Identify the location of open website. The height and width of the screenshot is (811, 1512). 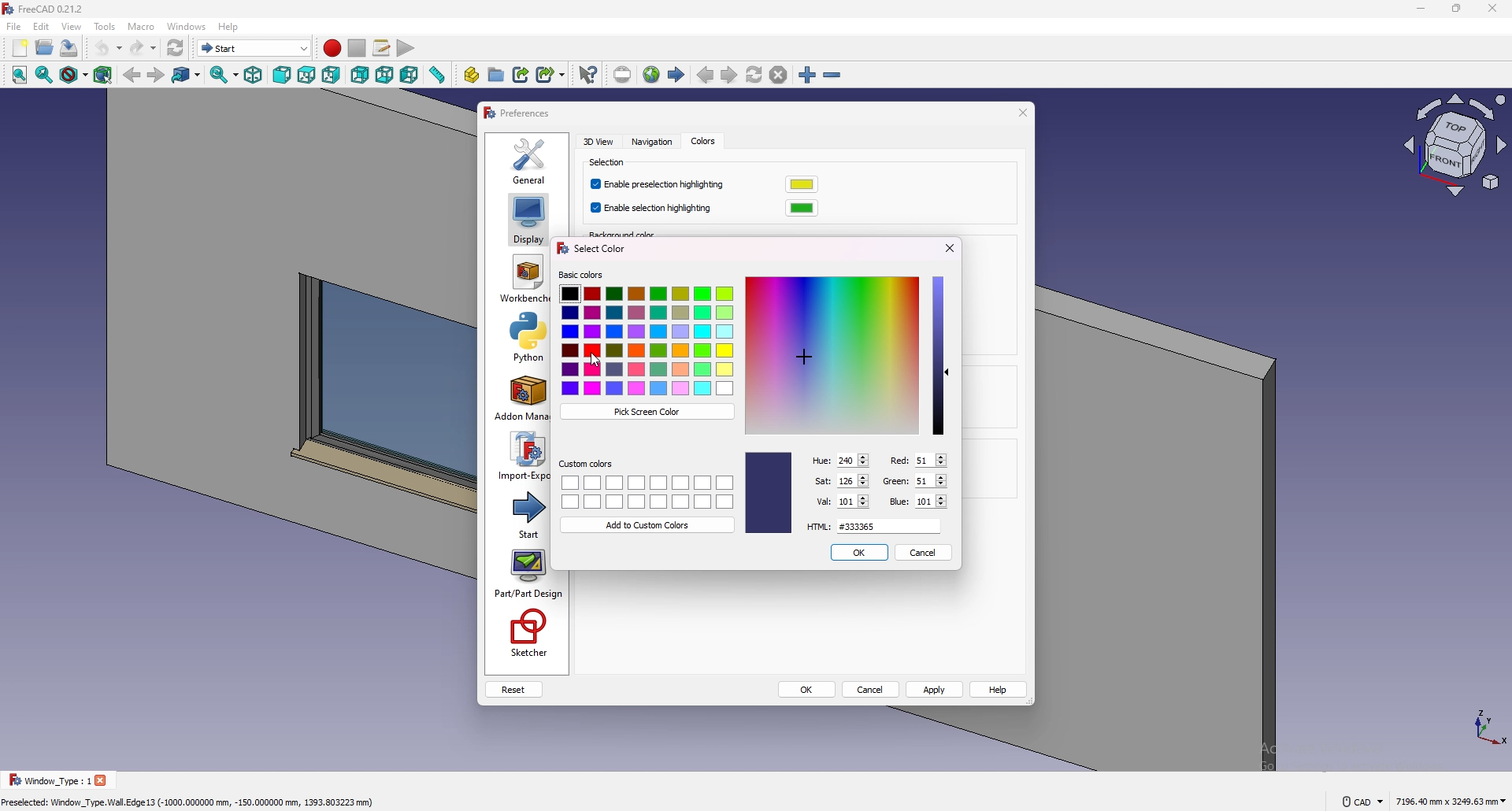
(653, 75).